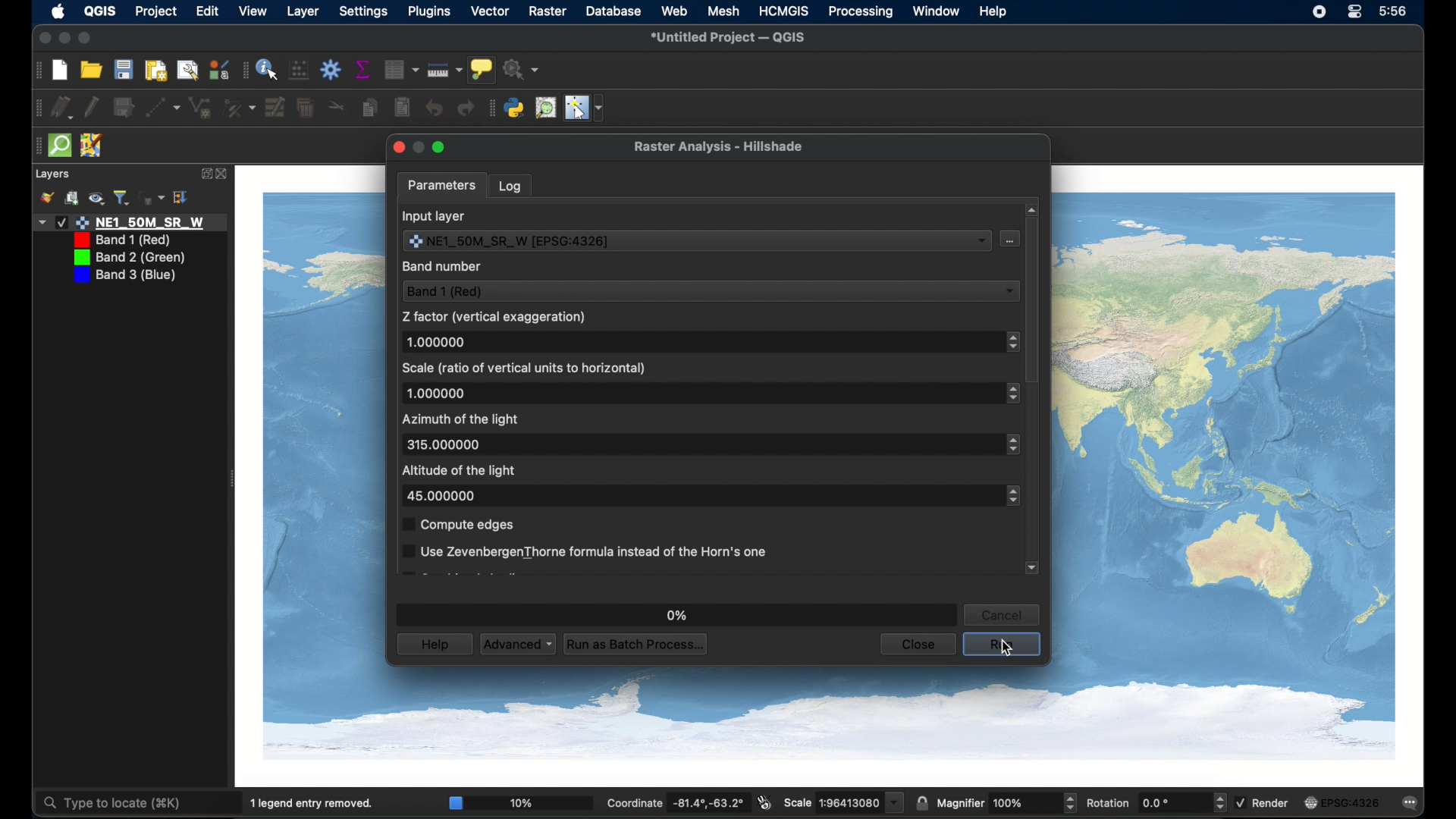 This screenshot has width=1456, height=819. What do you see at coordinates (52, 174) in the screenshot?
I see `layers` at bounding box center [52, 174].